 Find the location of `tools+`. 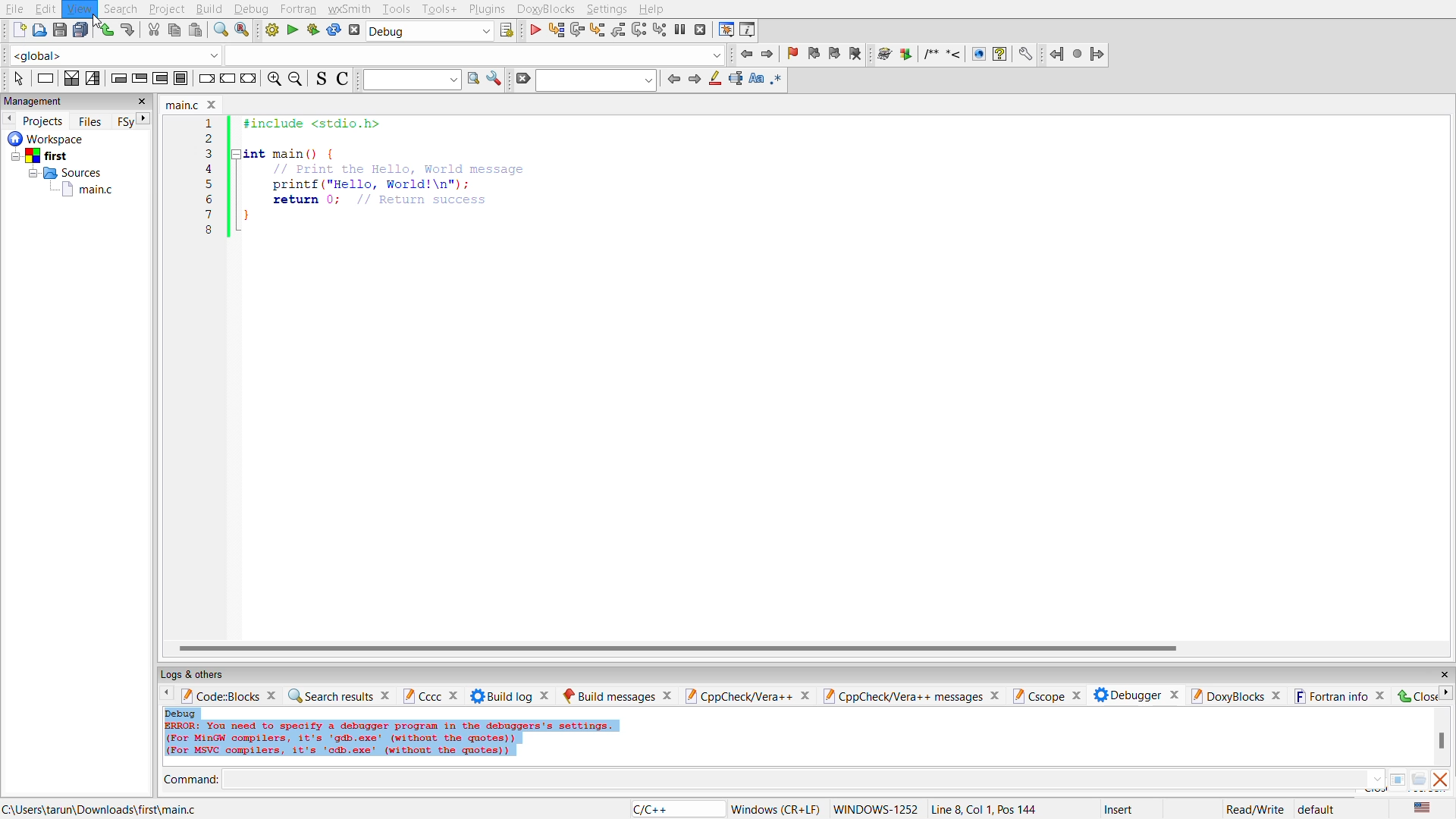

tools+ is located at coordinates (442, 8).